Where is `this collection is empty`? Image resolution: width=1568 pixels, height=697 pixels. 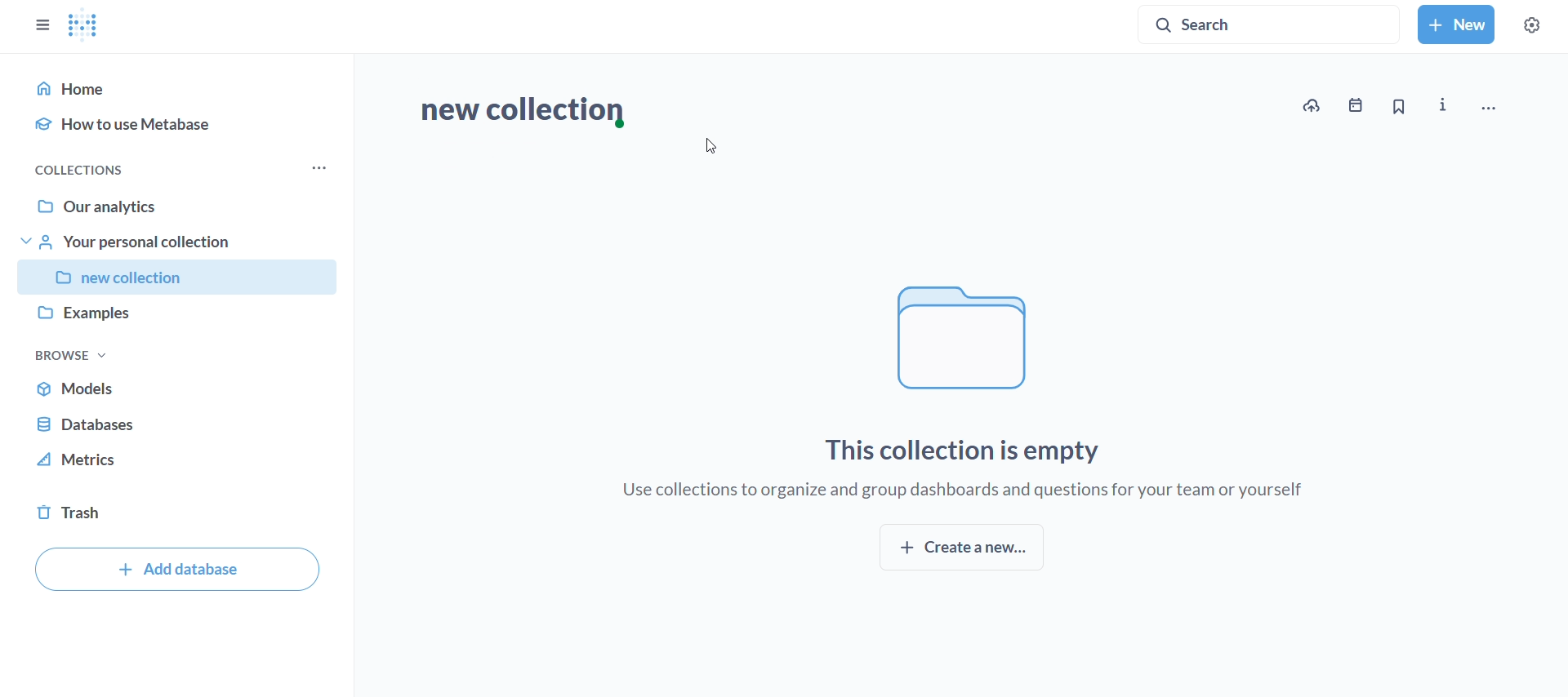
this collection is empty is located at coordinates (967, 450).